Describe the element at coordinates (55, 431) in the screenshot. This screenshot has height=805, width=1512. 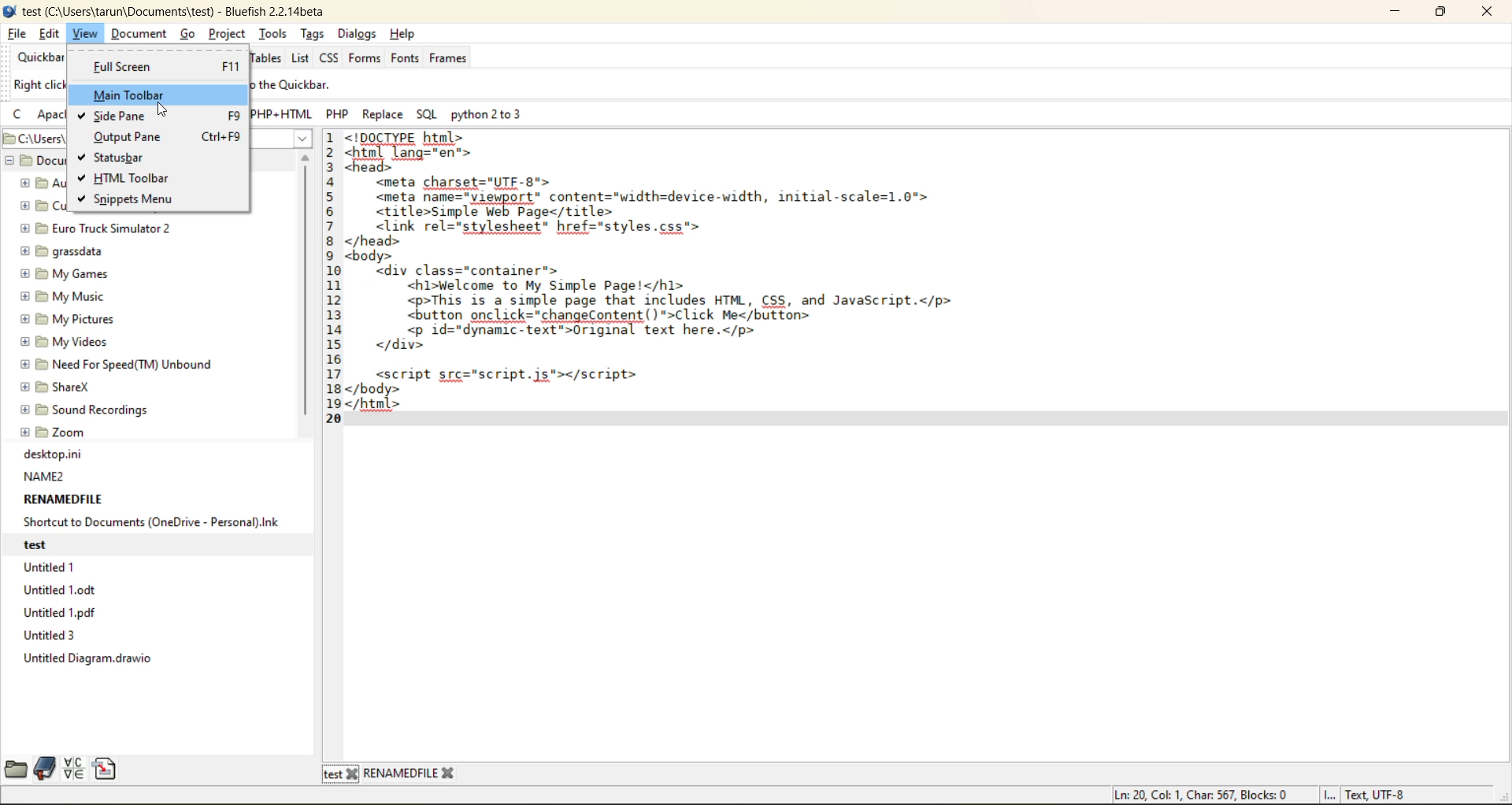
I see `@ 9 Zoom` at that location.